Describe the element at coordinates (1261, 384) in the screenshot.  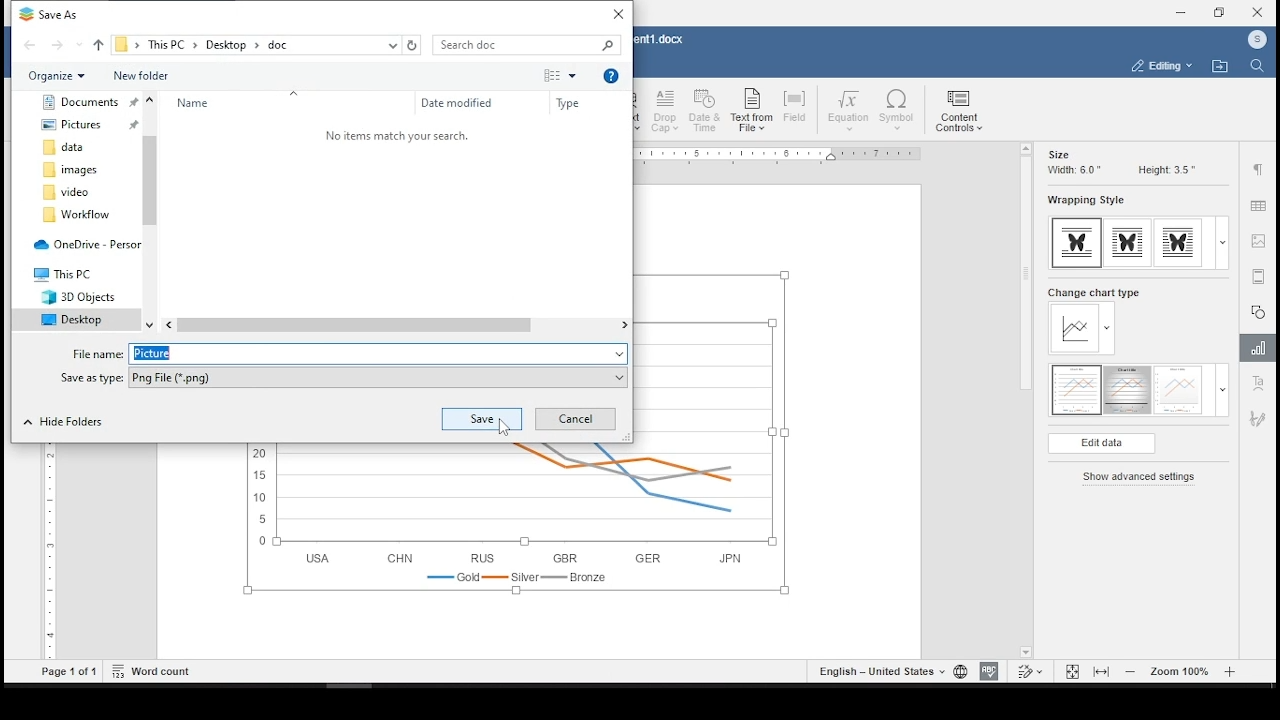
I see `text art settings` at that location.